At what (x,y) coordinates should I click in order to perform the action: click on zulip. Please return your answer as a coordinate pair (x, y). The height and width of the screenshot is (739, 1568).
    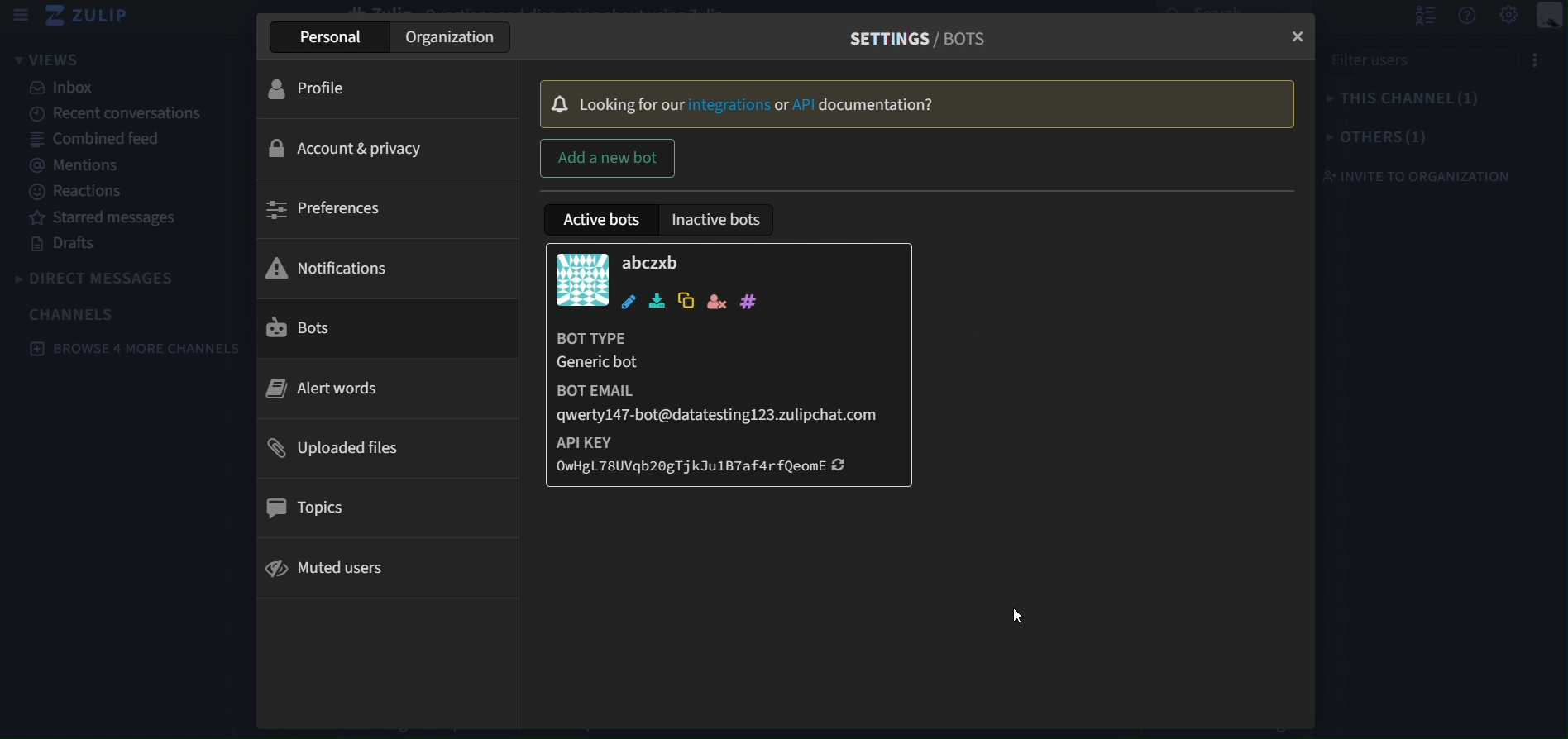
    Looking at the image, I should click on (93, 17).